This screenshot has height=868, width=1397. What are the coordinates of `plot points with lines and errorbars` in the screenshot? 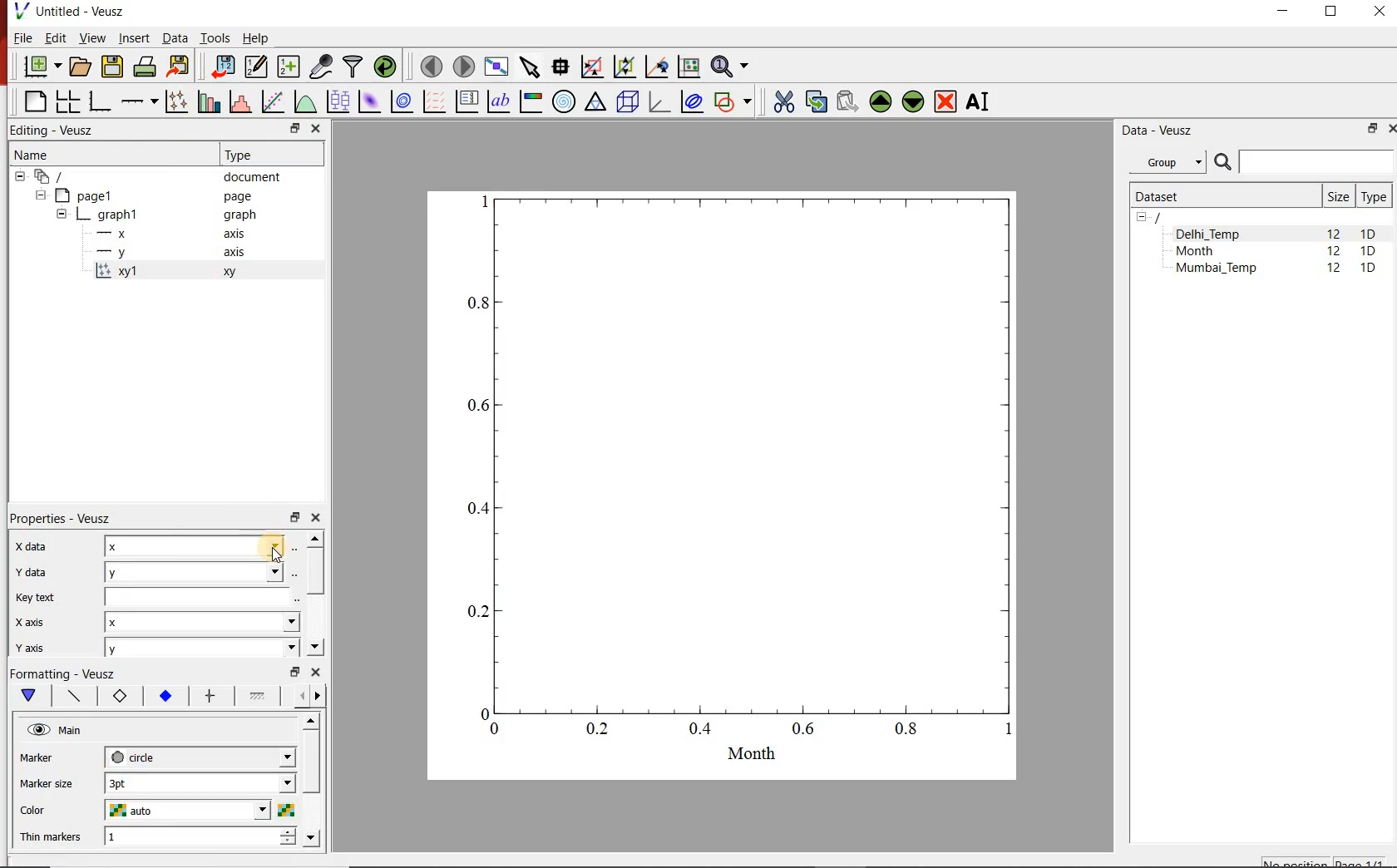 It's located at (175, 102).